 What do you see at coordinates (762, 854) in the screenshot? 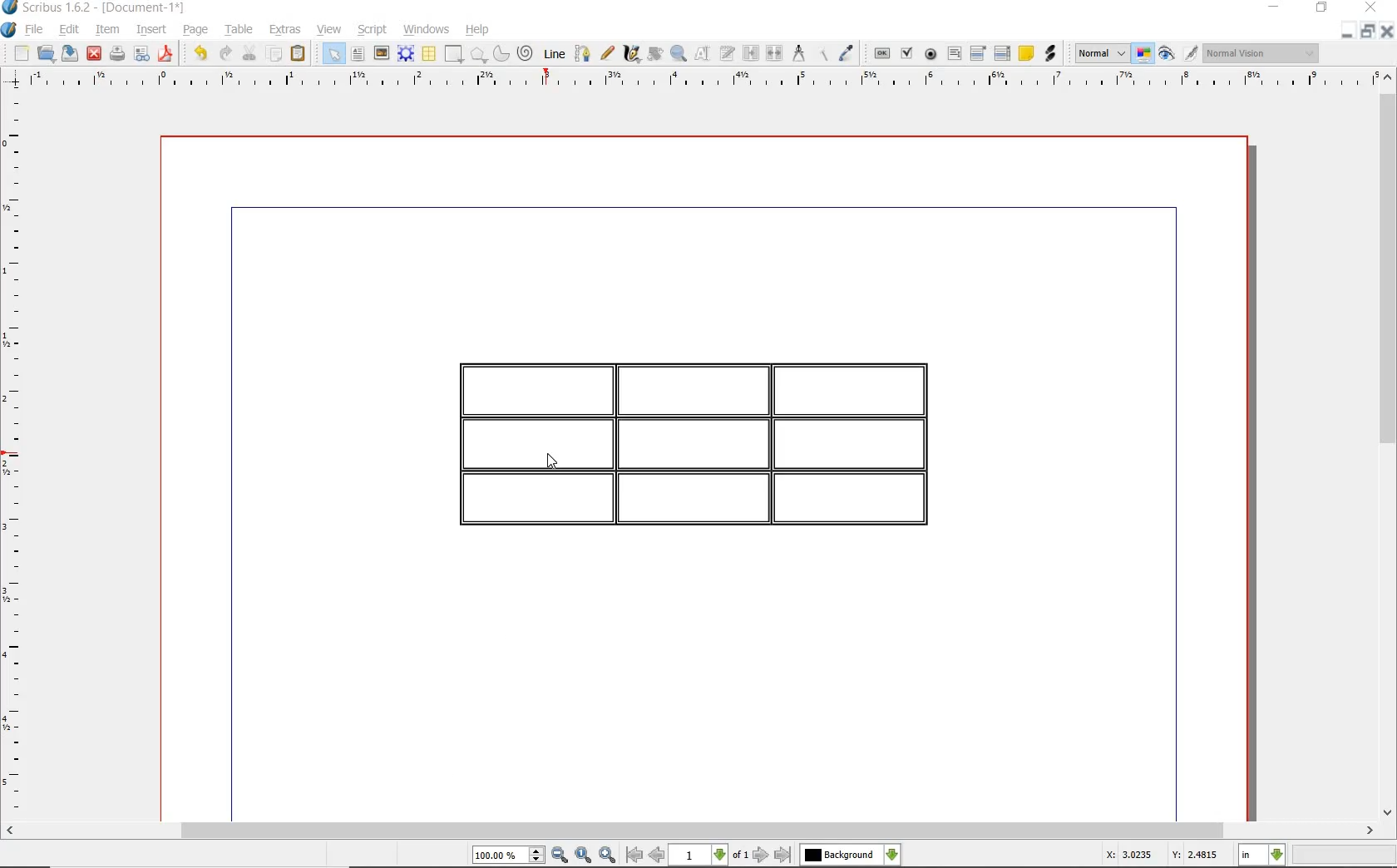
I see `go to next page` at bounding box center [762, 854].